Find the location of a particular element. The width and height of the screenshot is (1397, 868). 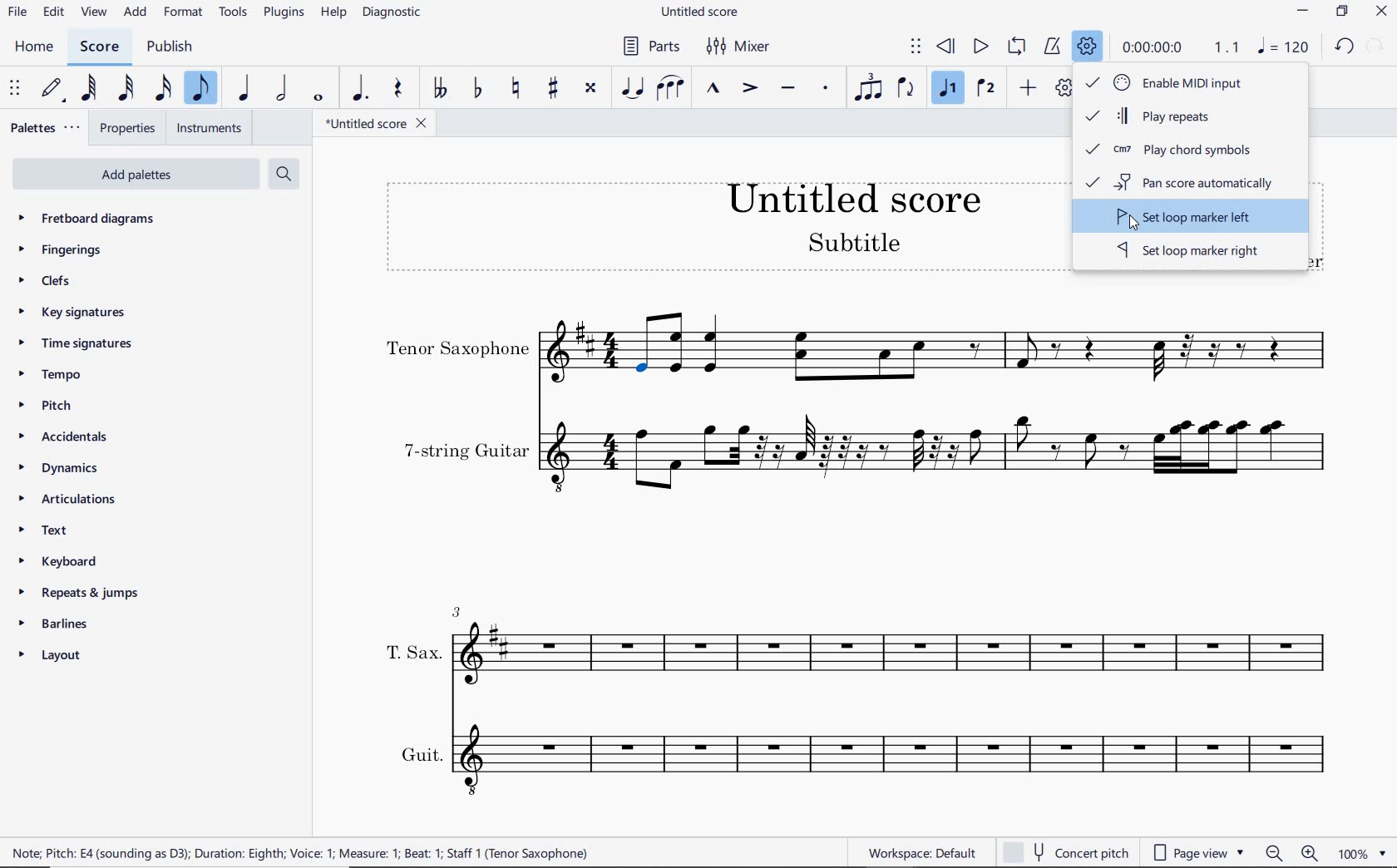

CLOSE is located at coordinates (1380, 13).